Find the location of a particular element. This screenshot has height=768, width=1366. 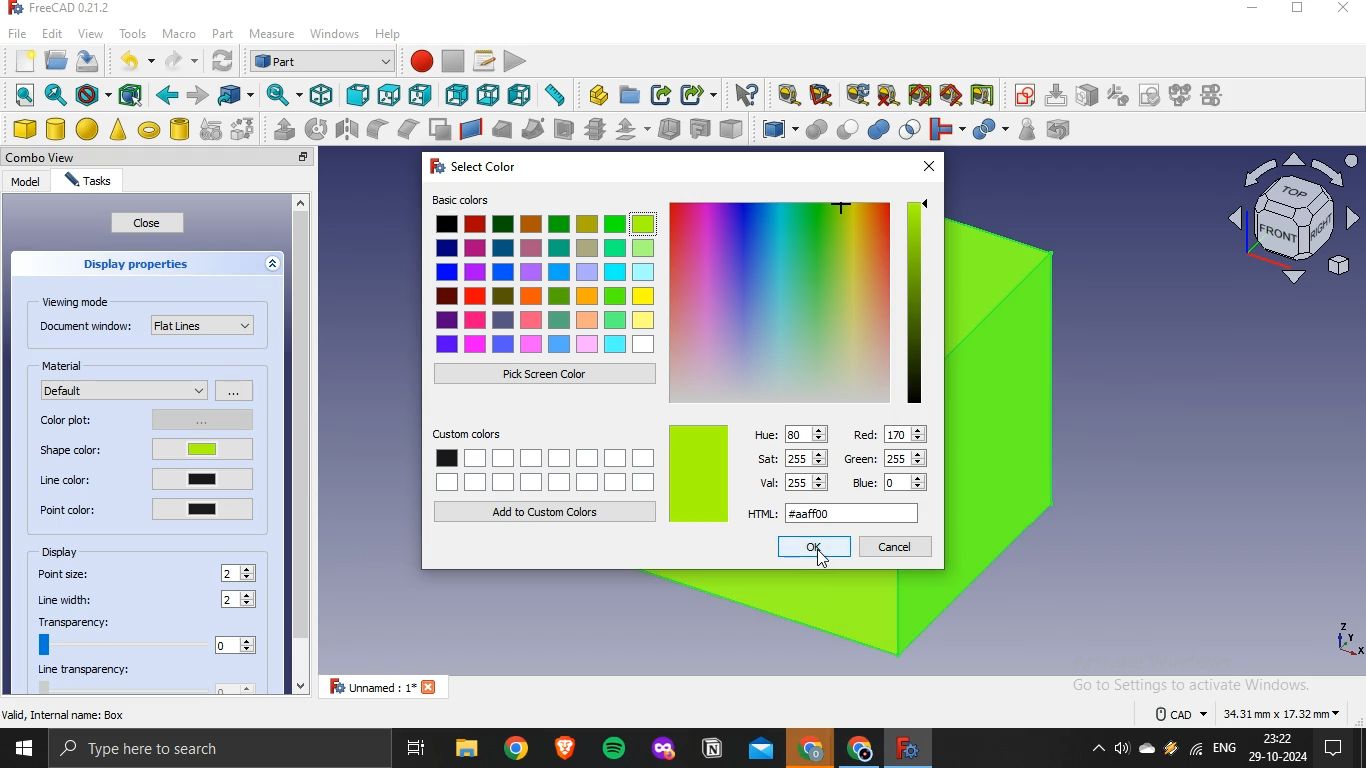

point size is located at coordinates (66, 573).